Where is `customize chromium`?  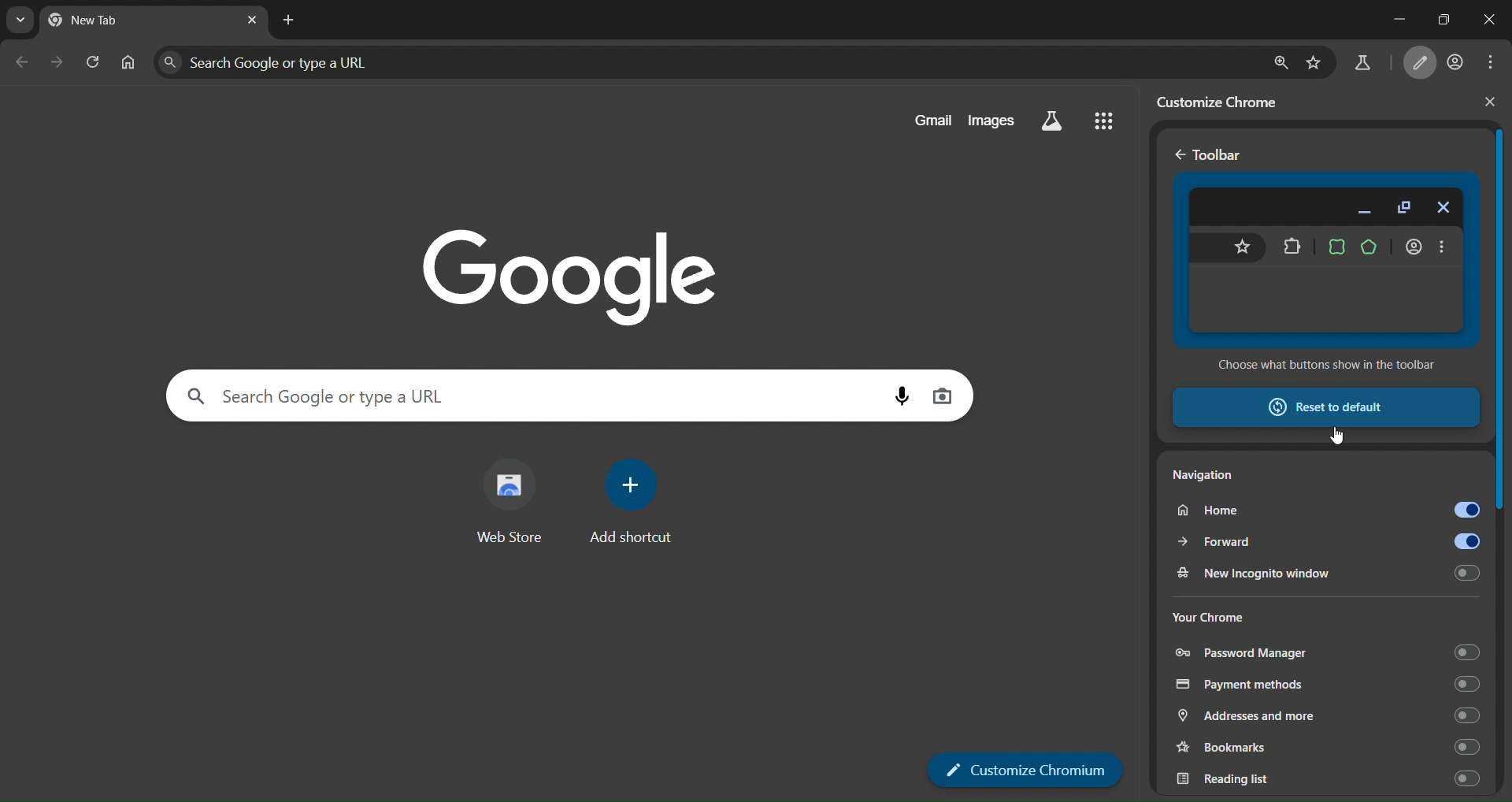 customize chromium is located at coordinates (1419, 64).